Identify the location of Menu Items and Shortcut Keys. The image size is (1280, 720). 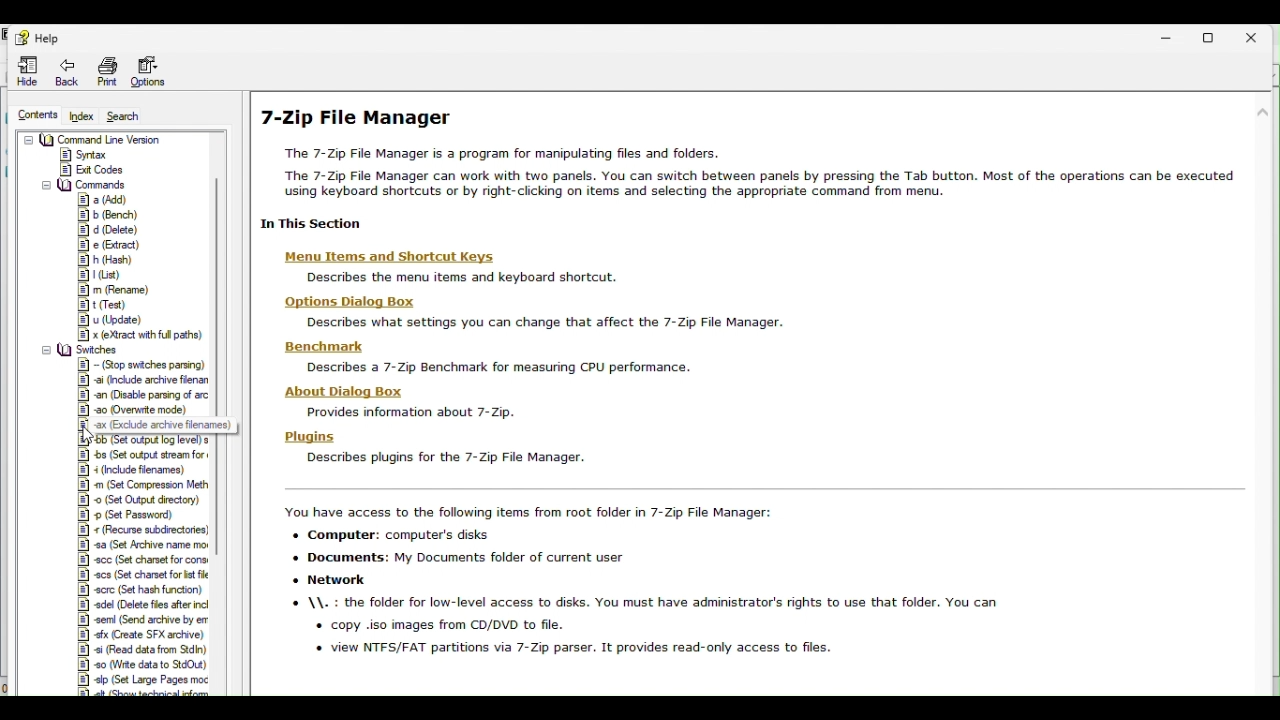
(392, 257).